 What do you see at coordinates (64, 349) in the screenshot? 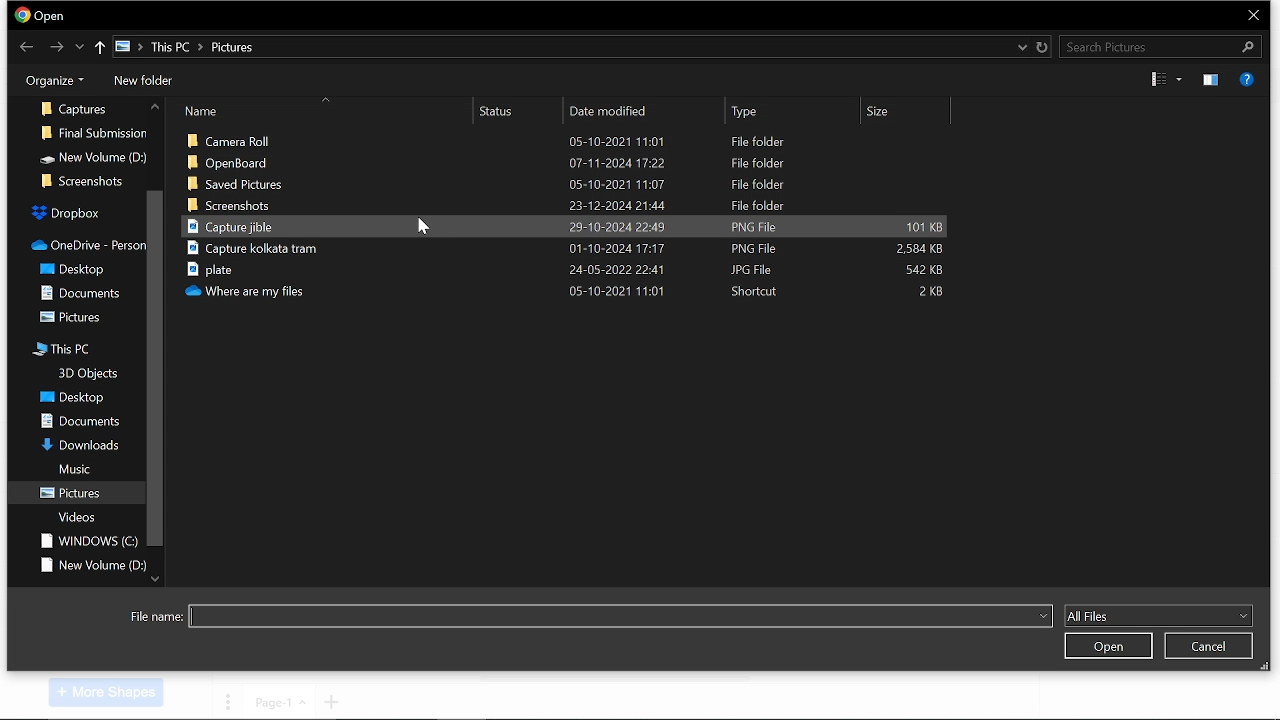
I see `folders` at bounding box center [64, 349].